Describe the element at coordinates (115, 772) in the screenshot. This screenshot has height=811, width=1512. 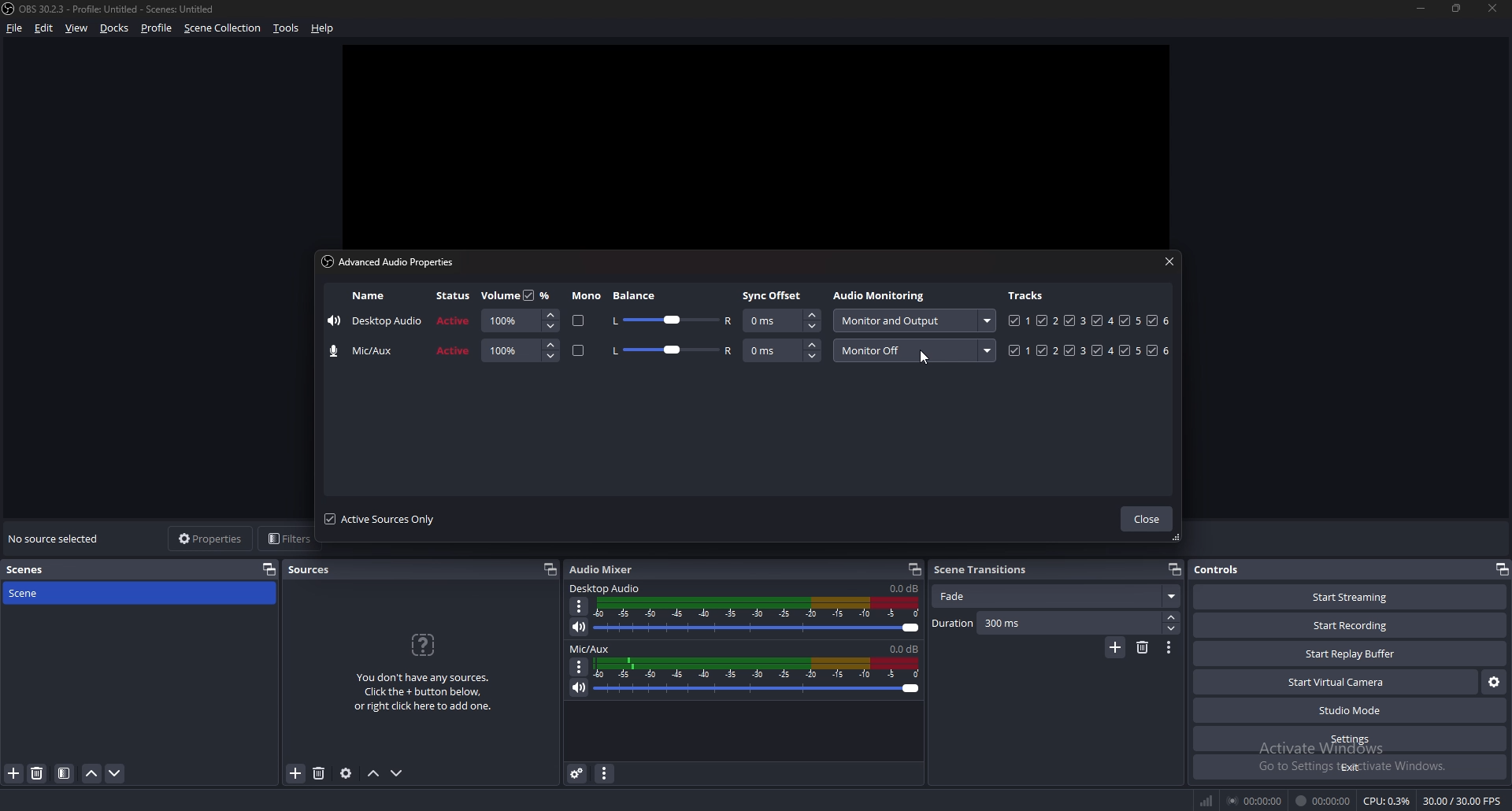
I see `move scene down` at that location.